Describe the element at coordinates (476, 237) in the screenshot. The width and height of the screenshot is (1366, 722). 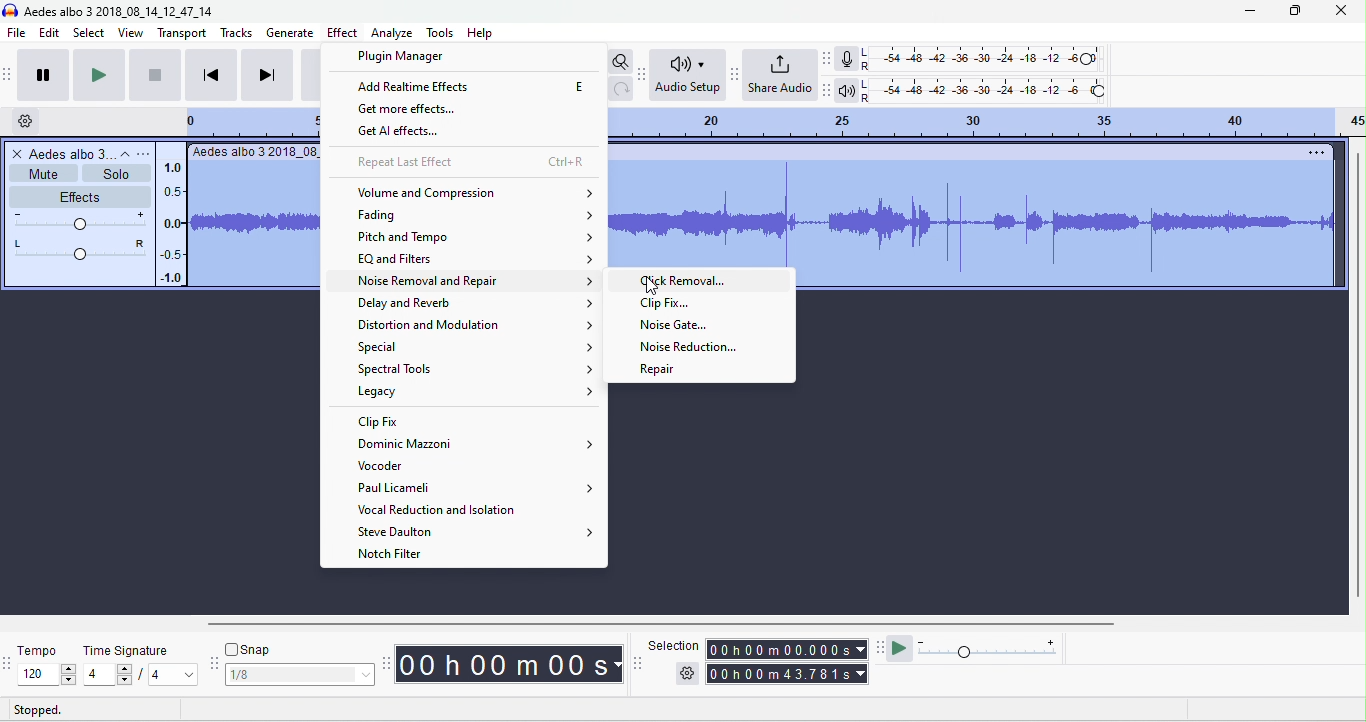
I see `pitch and tempo` at that location.